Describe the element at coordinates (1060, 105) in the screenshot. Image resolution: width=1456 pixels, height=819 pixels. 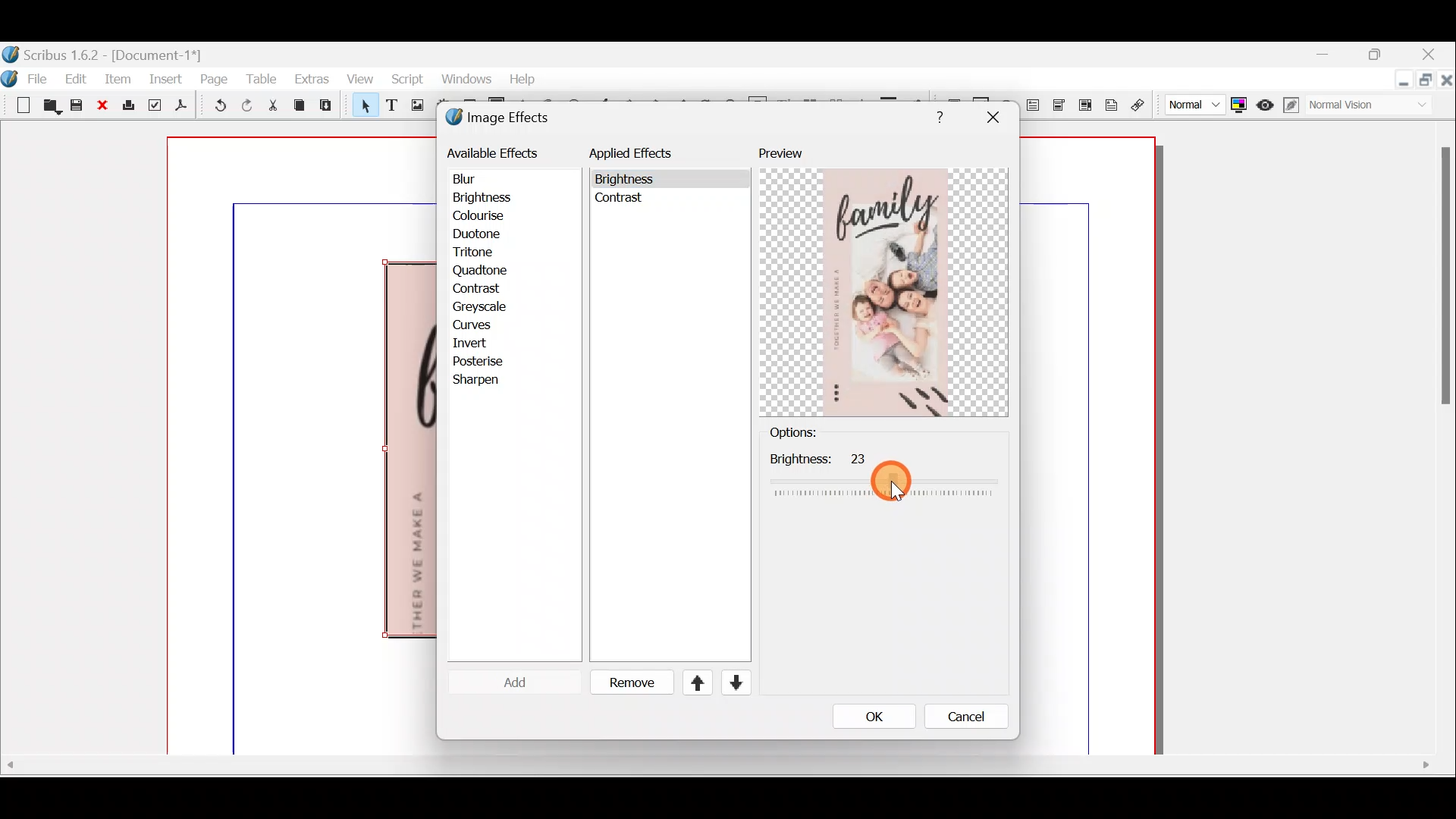
I see `PDF combo box` at that location.